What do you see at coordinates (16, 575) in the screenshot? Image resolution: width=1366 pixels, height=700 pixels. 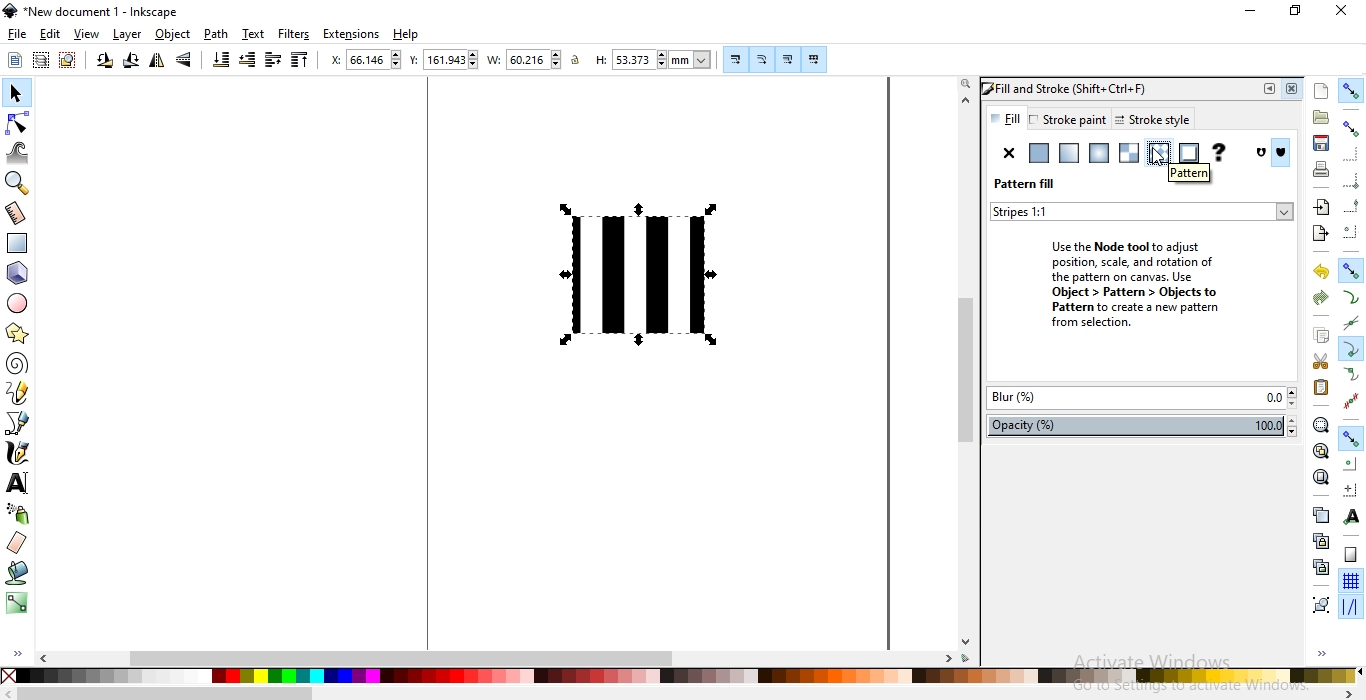 I see `fill bounded areas` at bounding box center [16, 575].